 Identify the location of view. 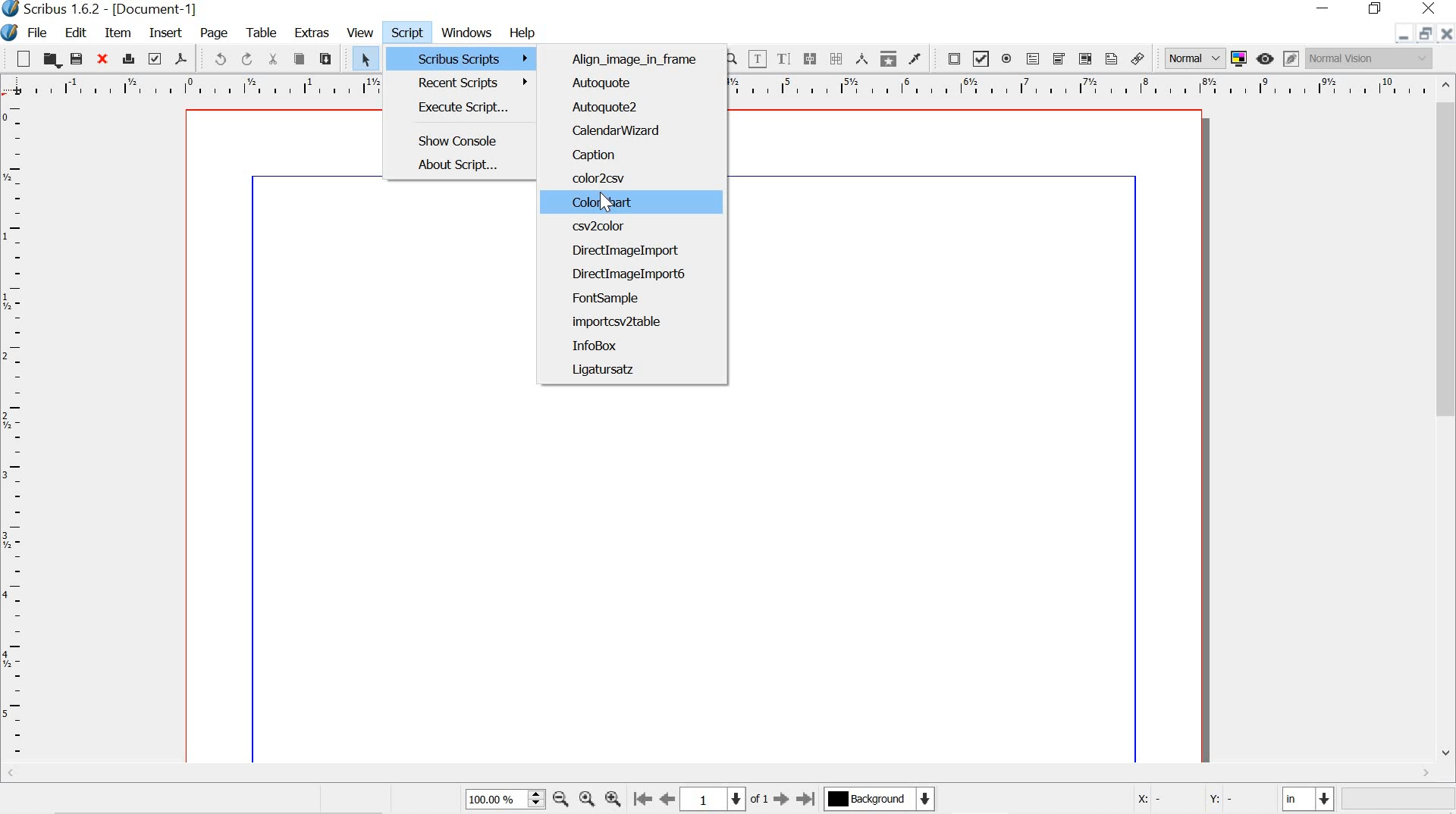
(361, 31).